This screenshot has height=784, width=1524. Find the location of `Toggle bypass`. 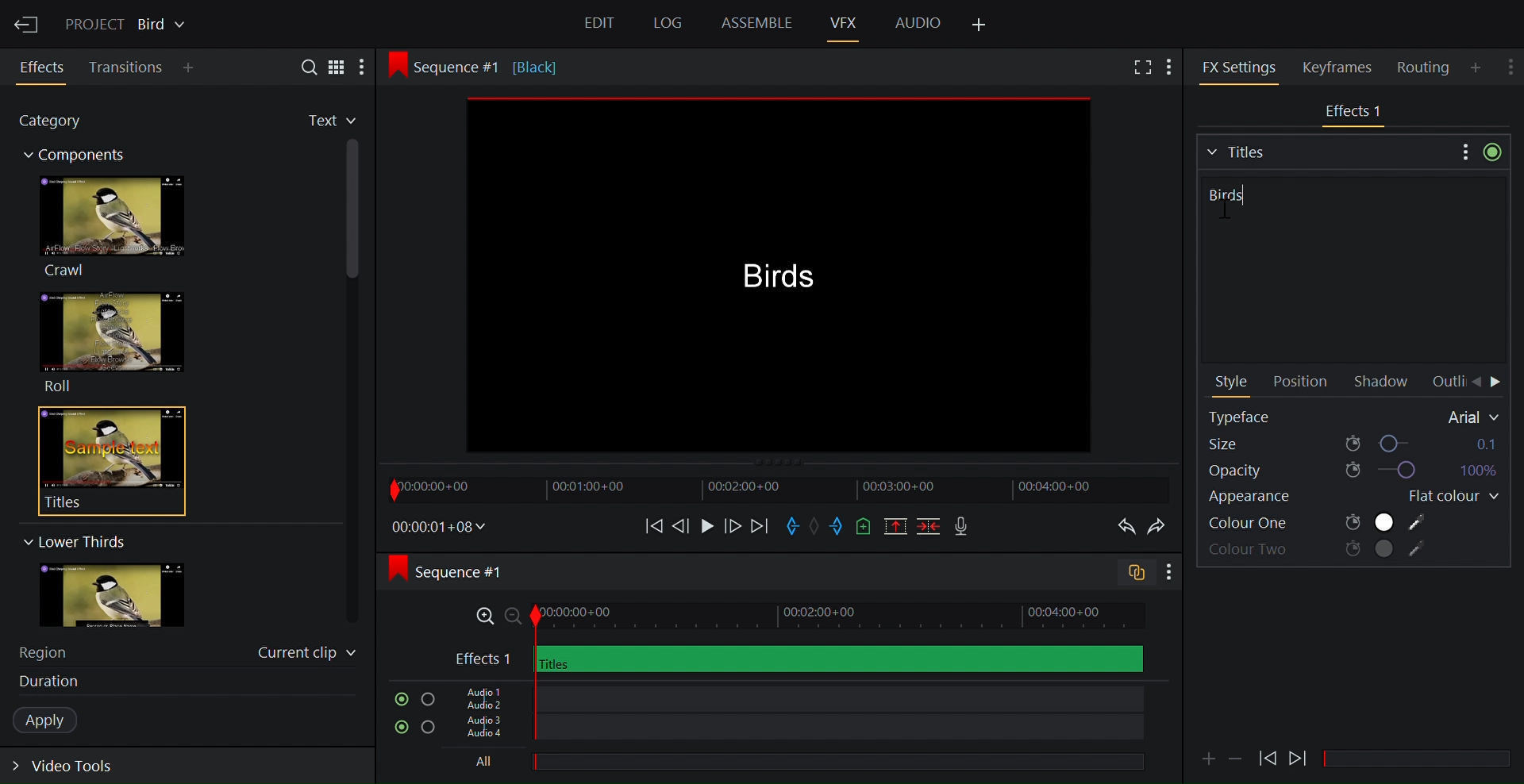

Toggle bypass is located at coordinates (1492, 152).